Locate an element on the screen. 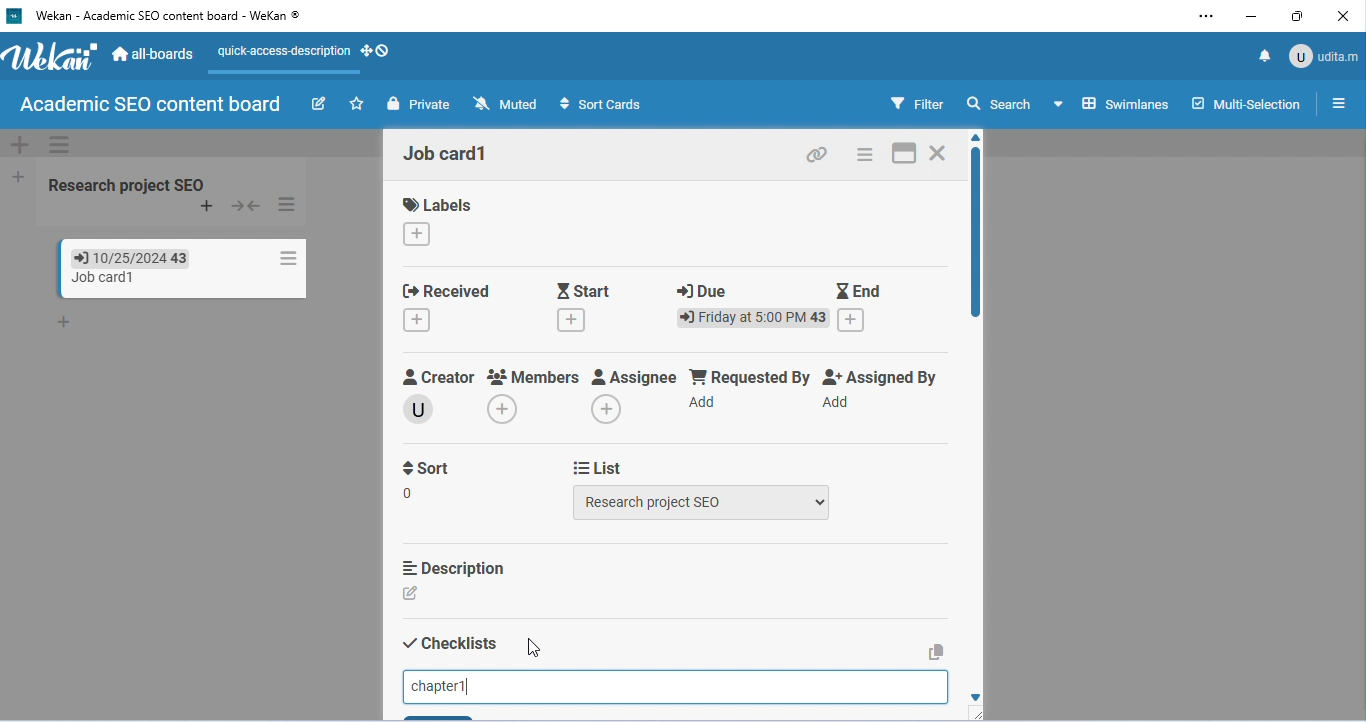 This screenshot has height=722, width=1366. maximize is located at coordinates (1297, 16).